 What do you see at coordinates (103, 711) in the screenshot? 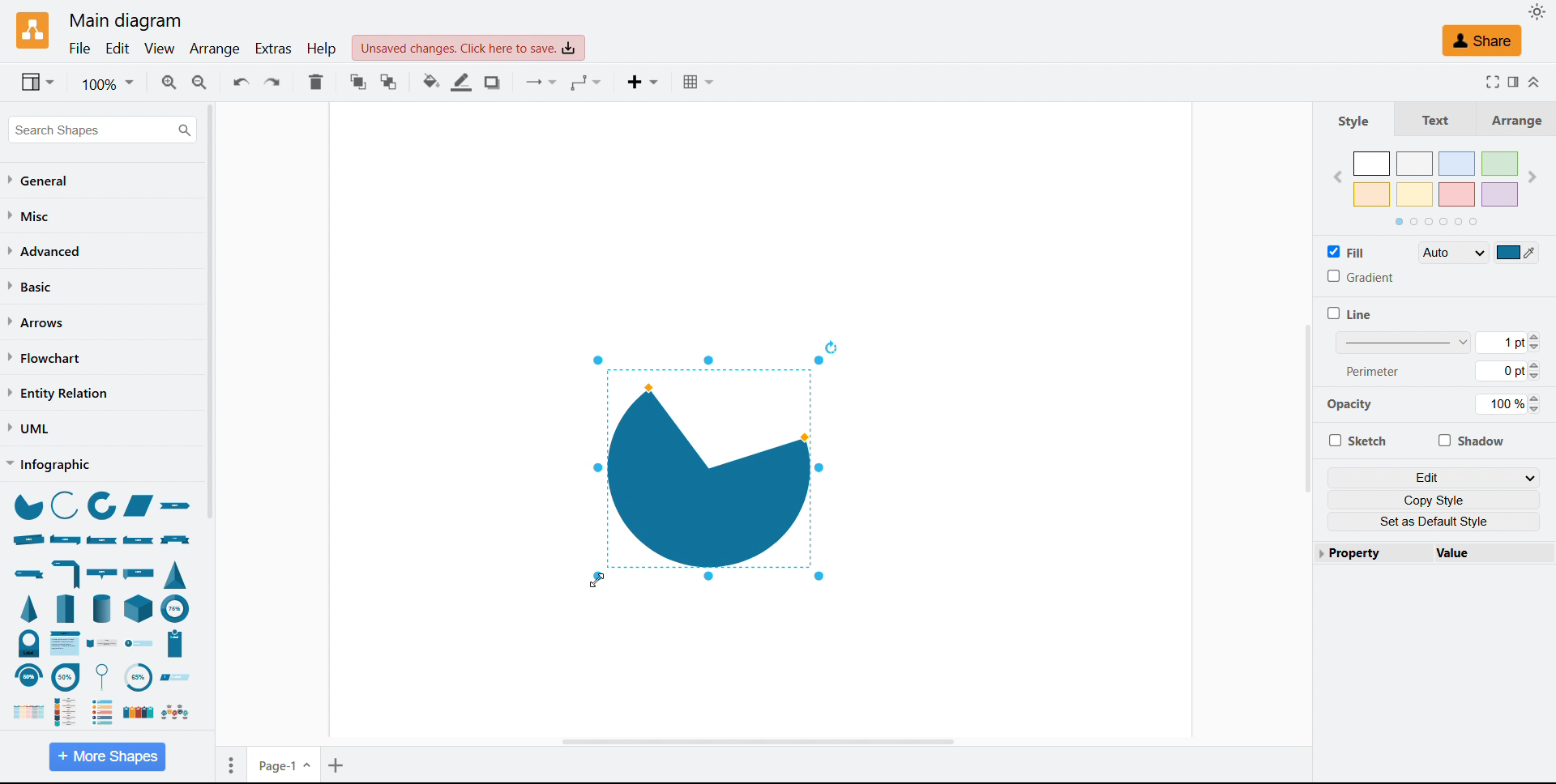
I see `numbered list` at bounding box center [103, 711].